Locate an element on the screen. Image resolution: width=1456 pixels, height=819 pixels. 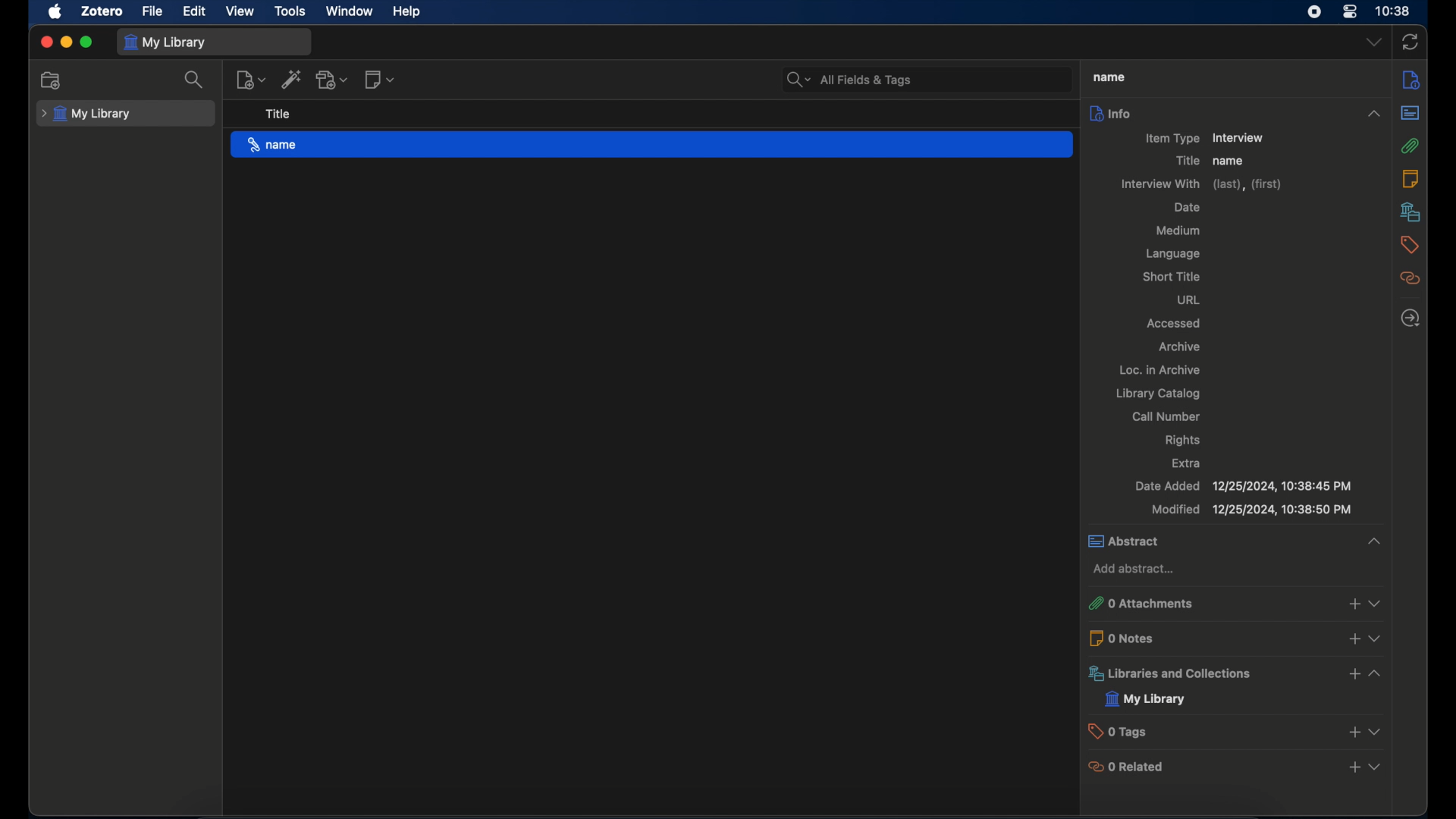
attachments is located at coordinates (1410, 146).